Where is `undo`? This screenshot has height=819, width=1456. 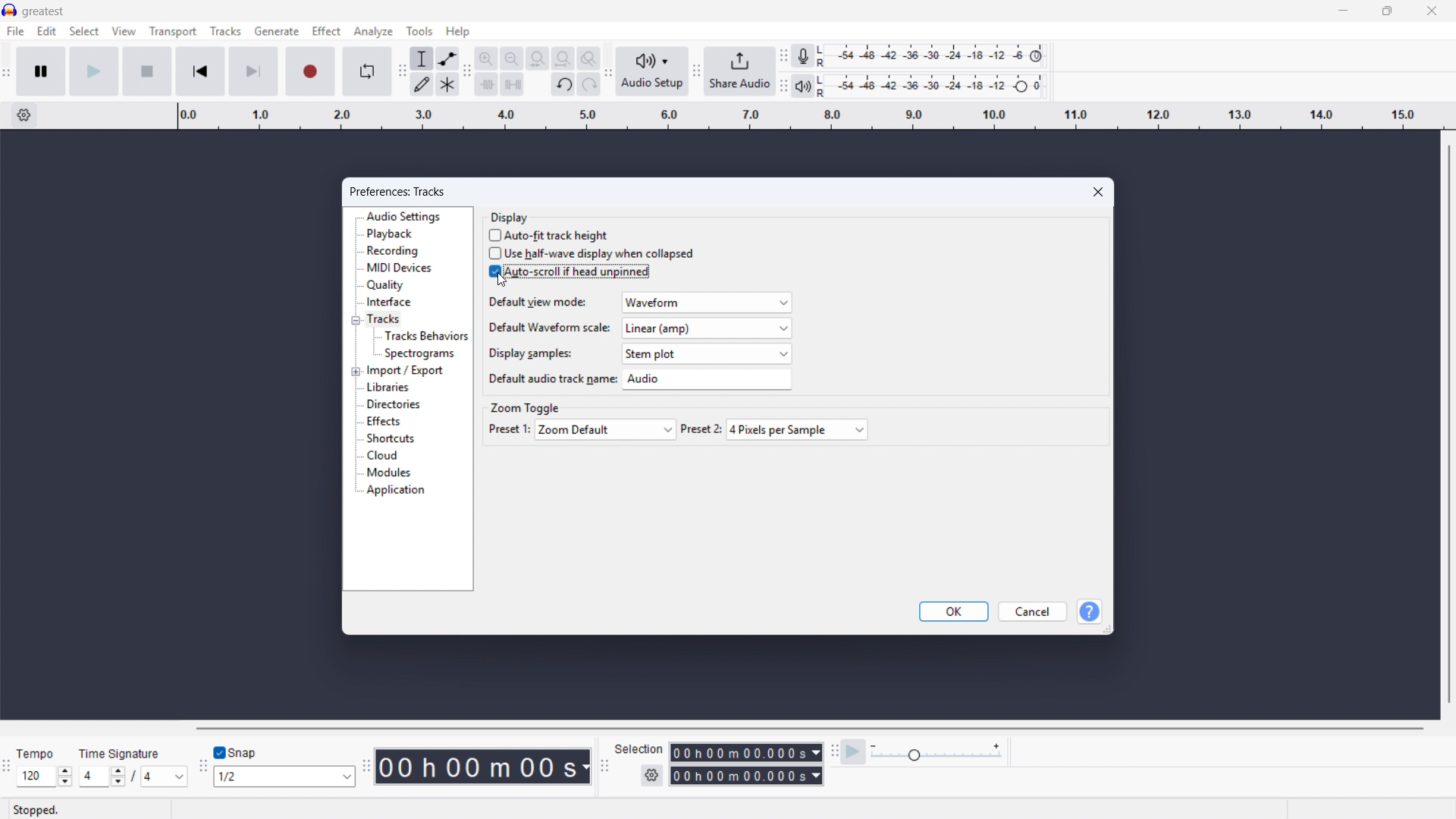
undo is located at coordinates (564, 84).